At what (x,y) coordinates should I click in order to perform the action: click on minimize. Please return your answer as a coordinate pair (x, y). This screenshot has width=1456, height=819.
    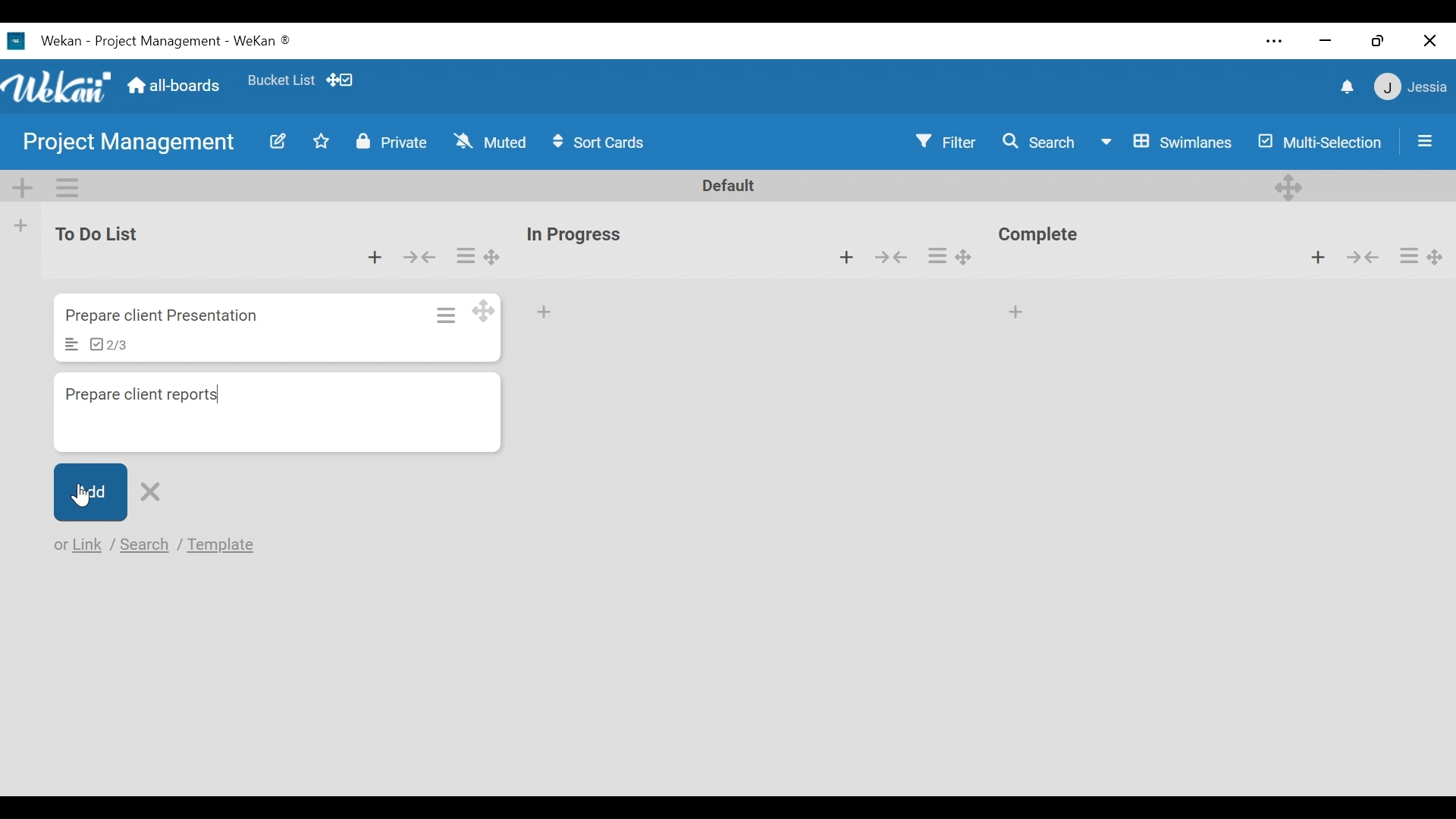
    Looking at the image, I should click on (1326, 39).